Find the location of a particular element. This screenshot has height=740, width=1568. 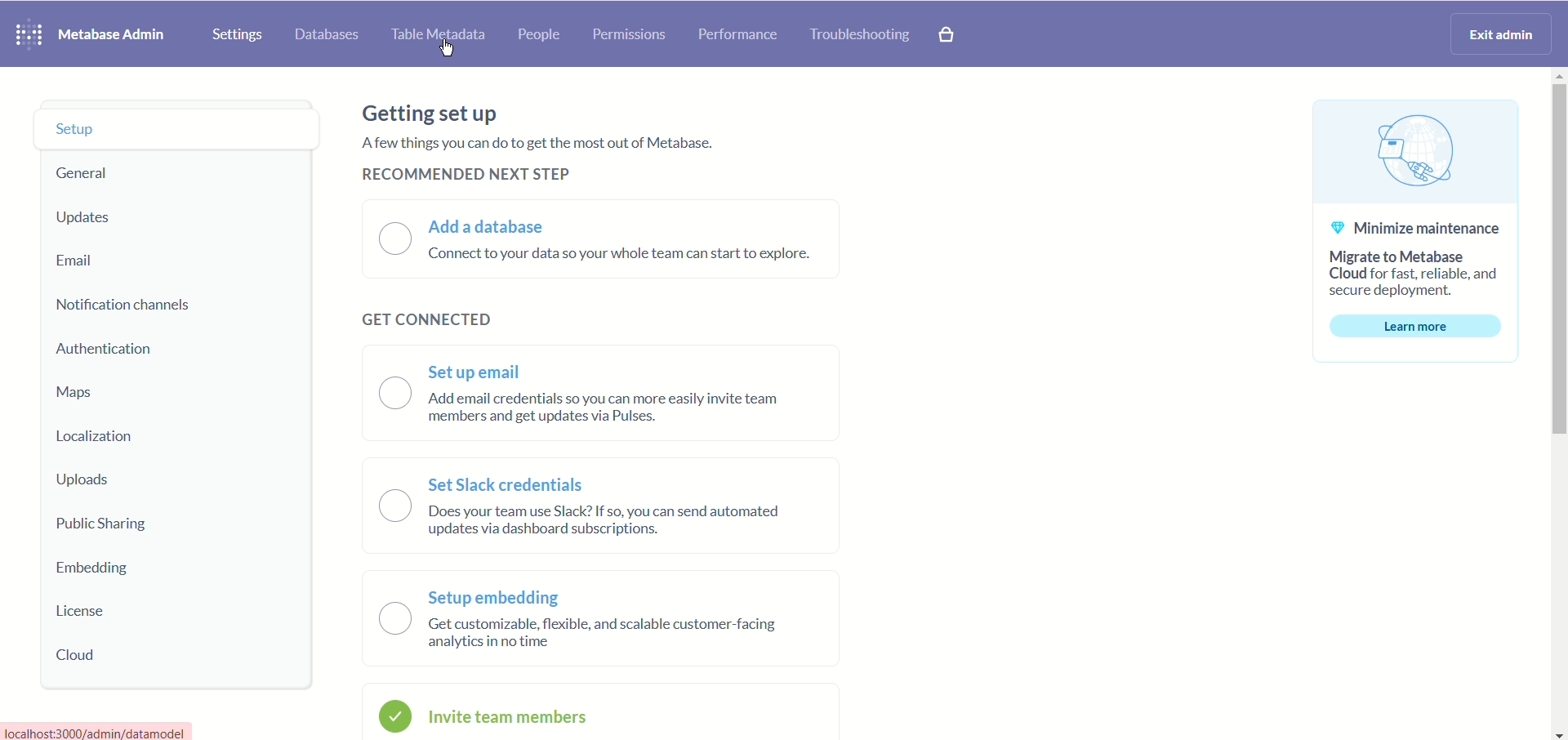

a few things you can do get the most out of Metabase is located at coordinates (565, 145).